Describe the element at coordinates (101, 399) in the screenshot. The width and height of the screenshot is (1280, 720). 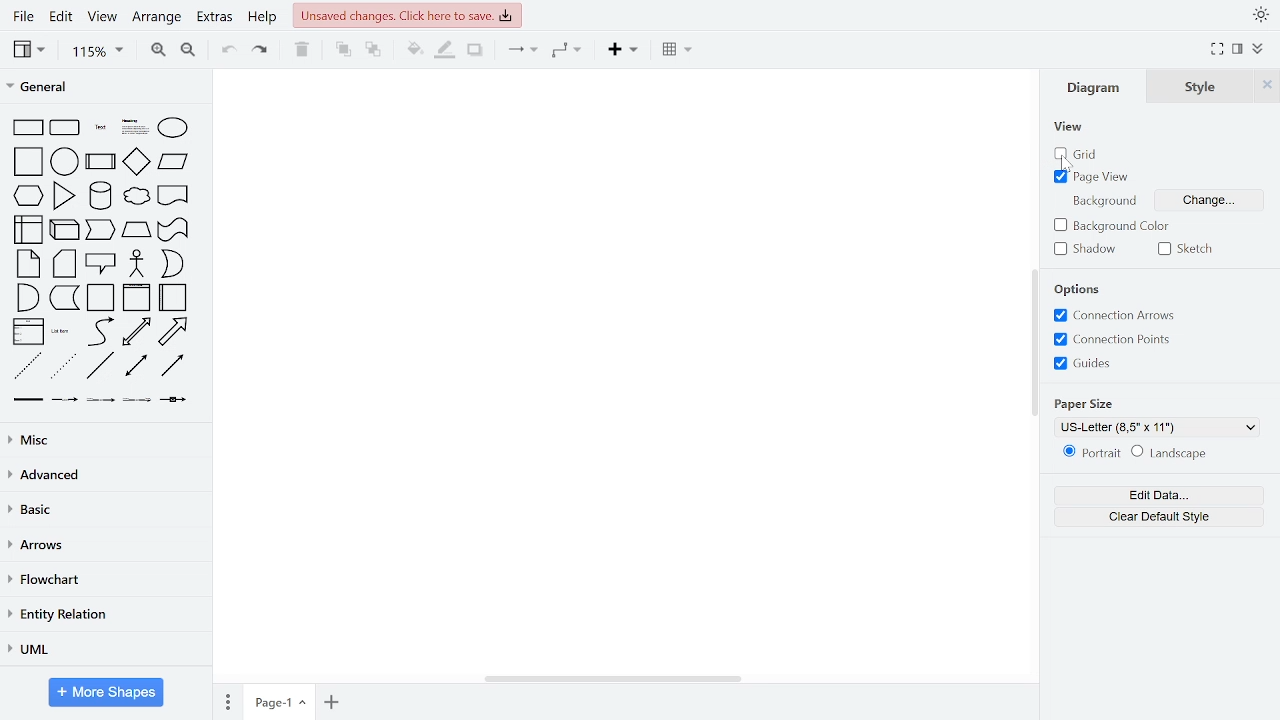
I see `connector with 2 labels` at that location.